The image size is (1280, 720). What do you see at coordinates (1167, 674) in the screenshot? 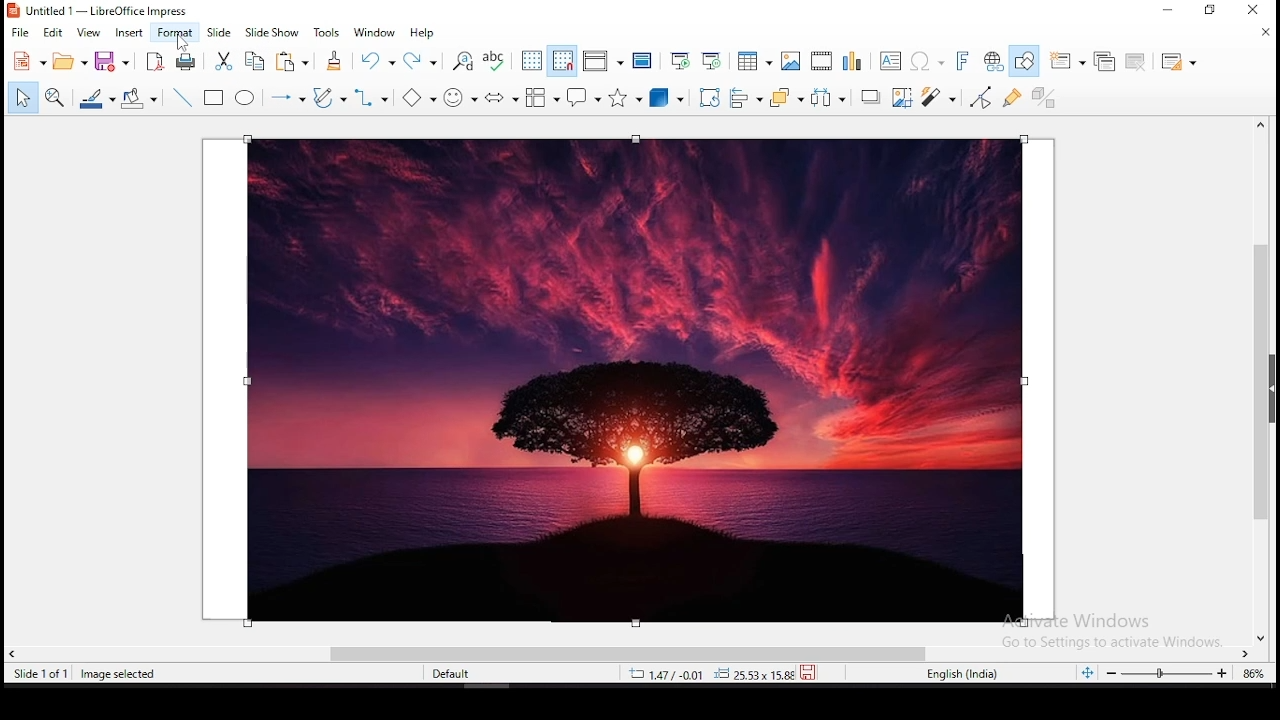
I see `zoom slider` at bounding box center [1167, 674].